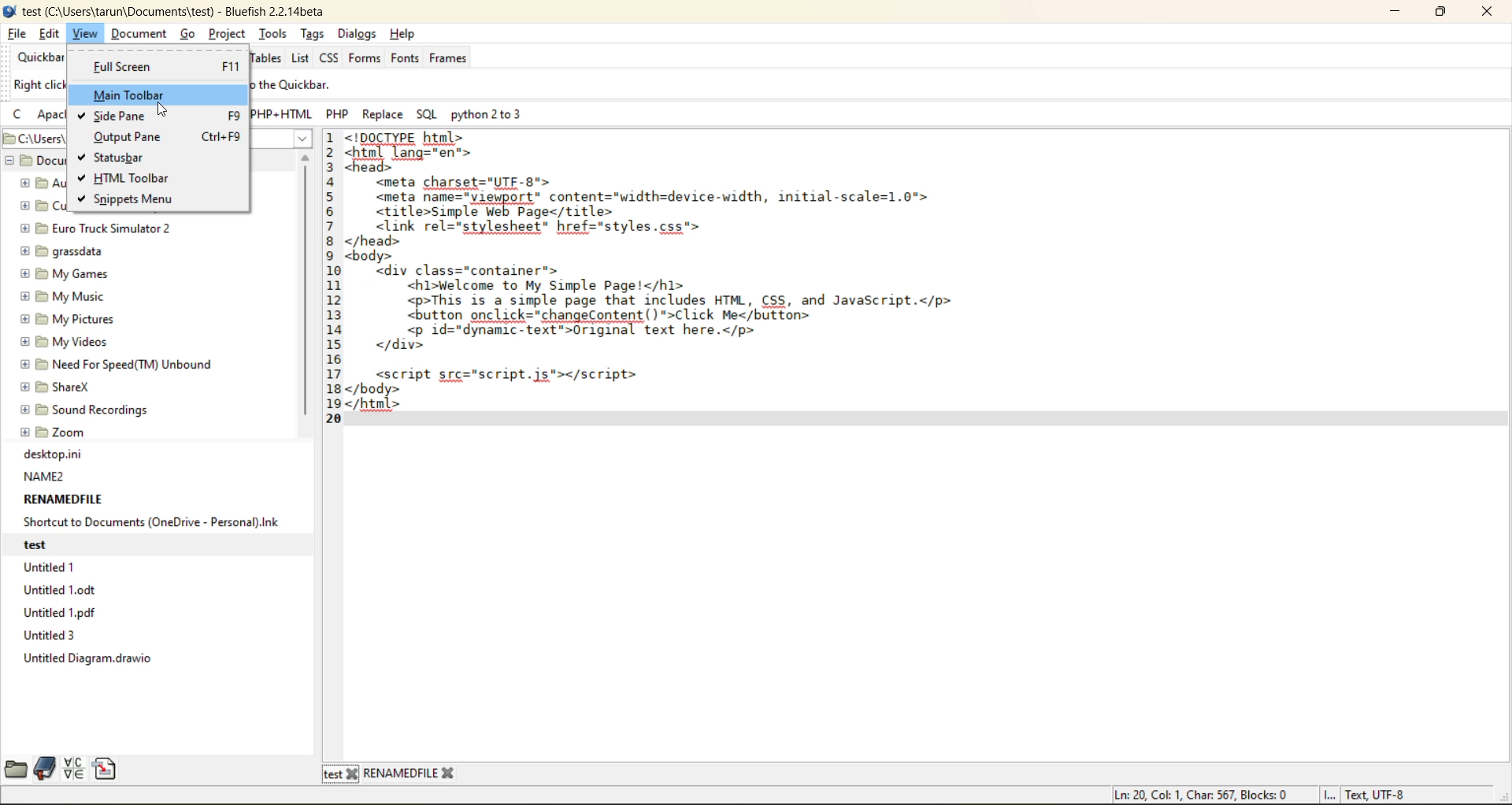 The height and width of the screenshot is (805, 1512). What do you see at coordinates (264, 58) in the screenshot?
I see `tables` at bounding box center [264, 58].